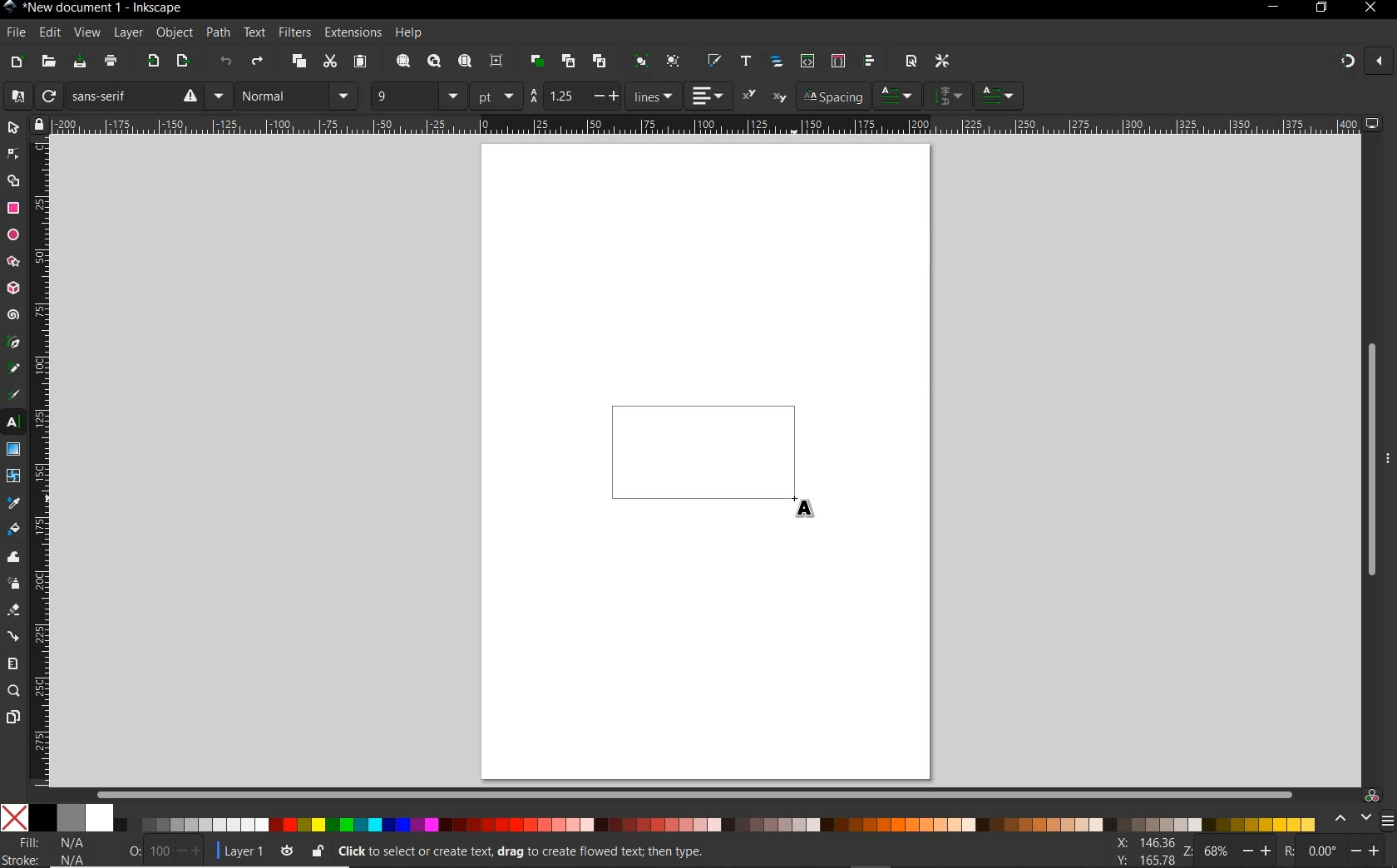  Describe the element at coordinates (13, 718) in the screenshot. I see `pages tool` at that location.